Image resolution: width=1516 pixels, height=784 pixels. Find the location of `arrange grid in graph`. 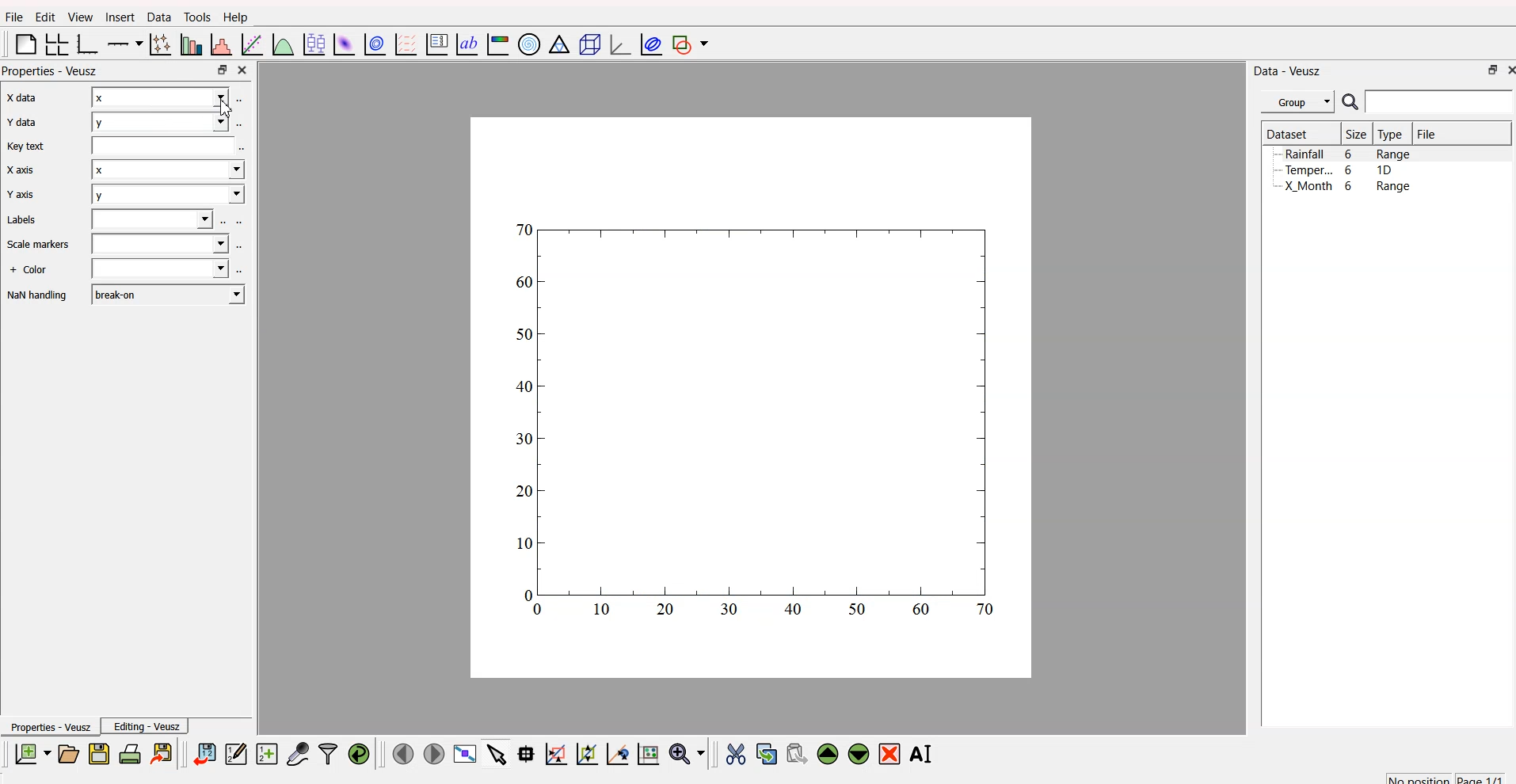

arrange grid in graph is located at coordinates (55, 45).